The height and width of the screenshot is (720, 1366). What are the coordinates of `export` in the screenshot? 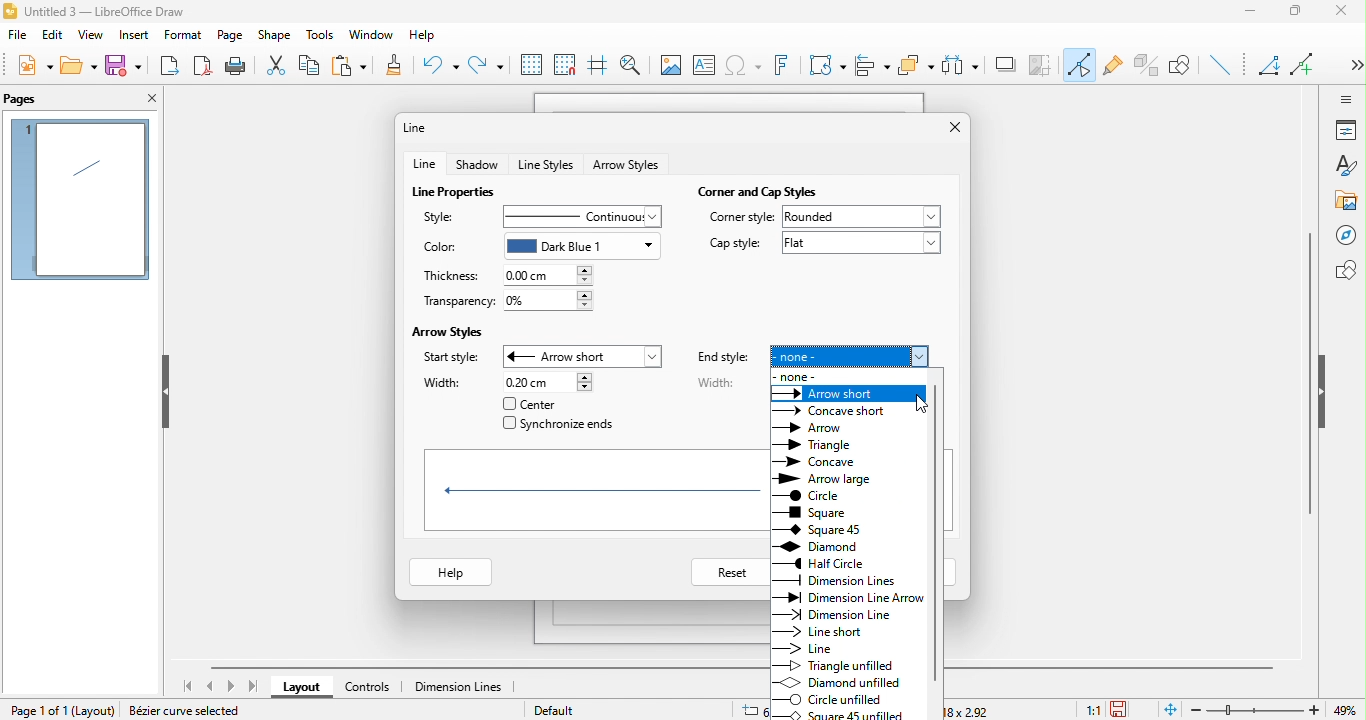 It's located at (171, 64).